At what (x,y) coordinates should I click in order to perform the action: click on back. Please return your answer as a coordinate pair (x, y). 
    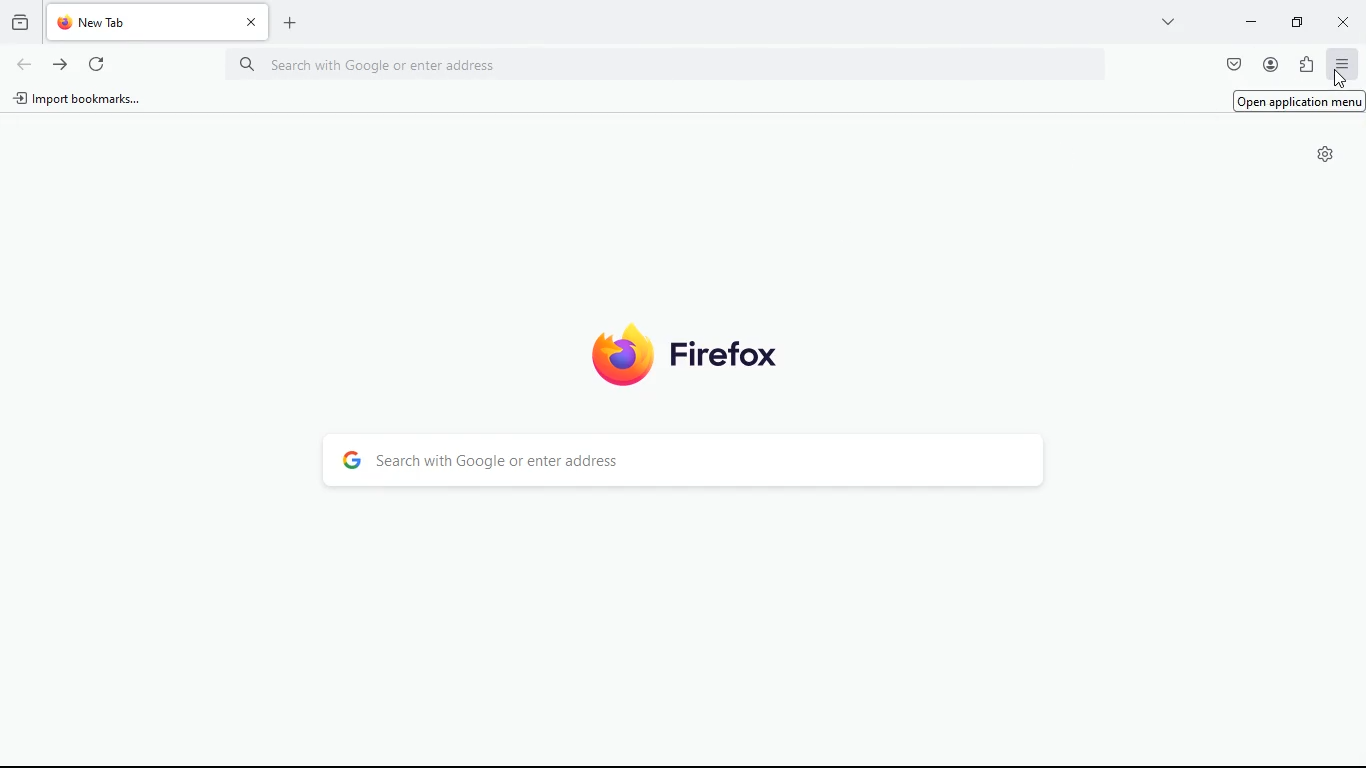
    Looking at the image, I should click on (25, 64).